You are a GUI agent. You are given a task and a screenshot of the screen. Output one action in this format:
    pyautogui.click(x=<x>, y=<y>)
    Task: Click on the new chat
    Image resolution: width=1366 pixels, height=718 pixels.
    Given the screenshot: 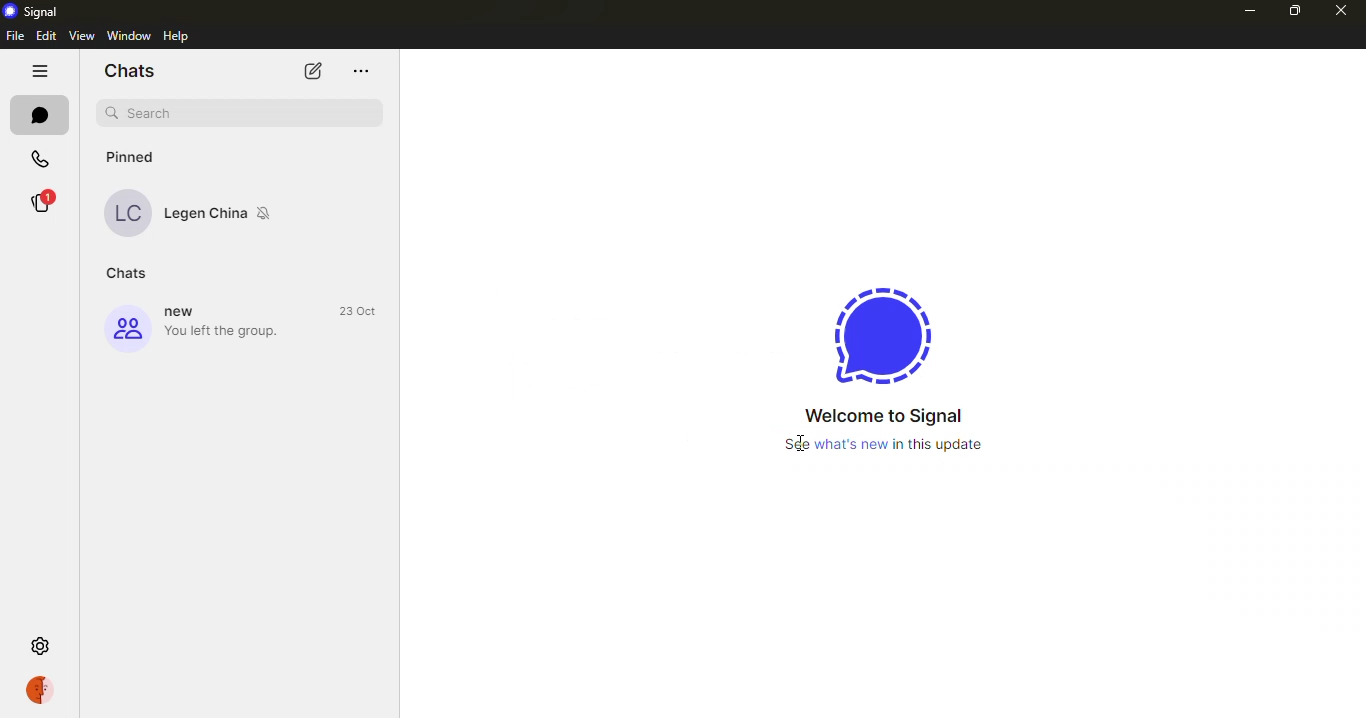 What is the action you would take?
    pyautogui.click(x=313, y=72)
    